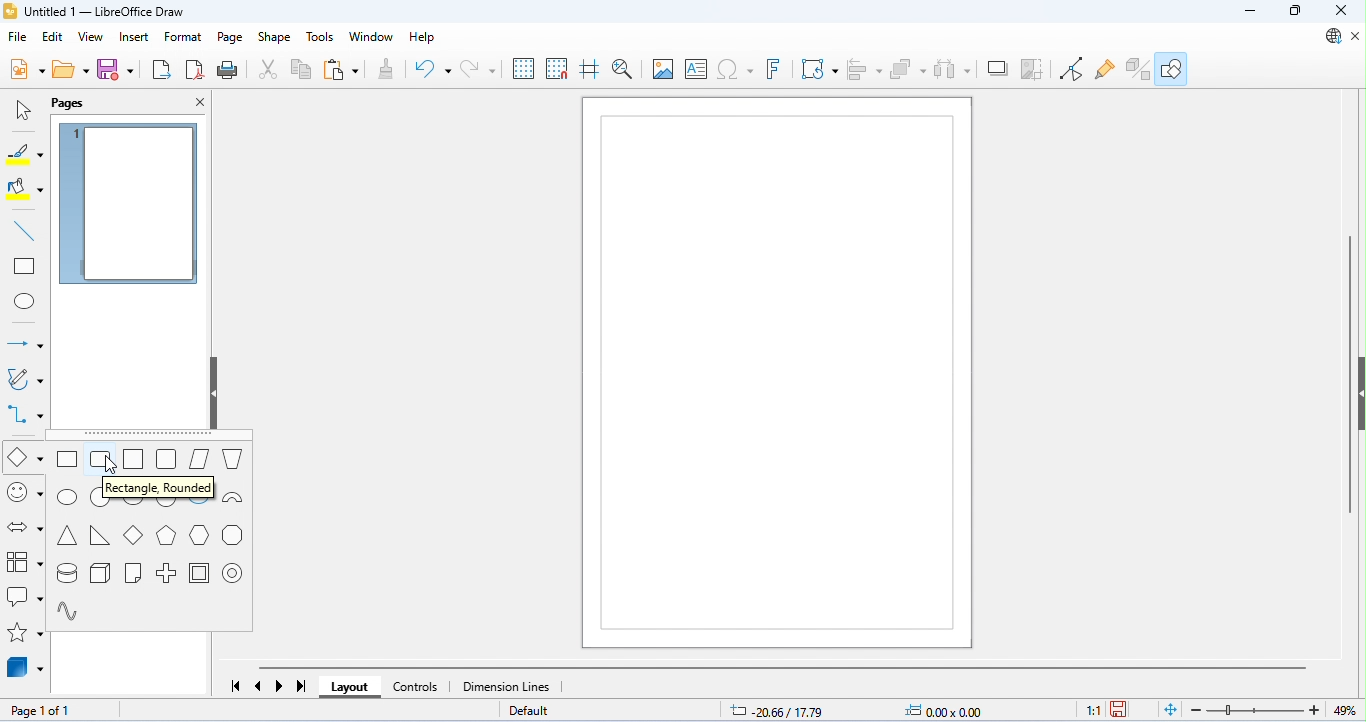 Image resolution: width=1366 pixels, height=722 pixels. Describe the element at coordinates (158, 487) in the screenshot. I see `rectangle, rounded dialog box` at that location.